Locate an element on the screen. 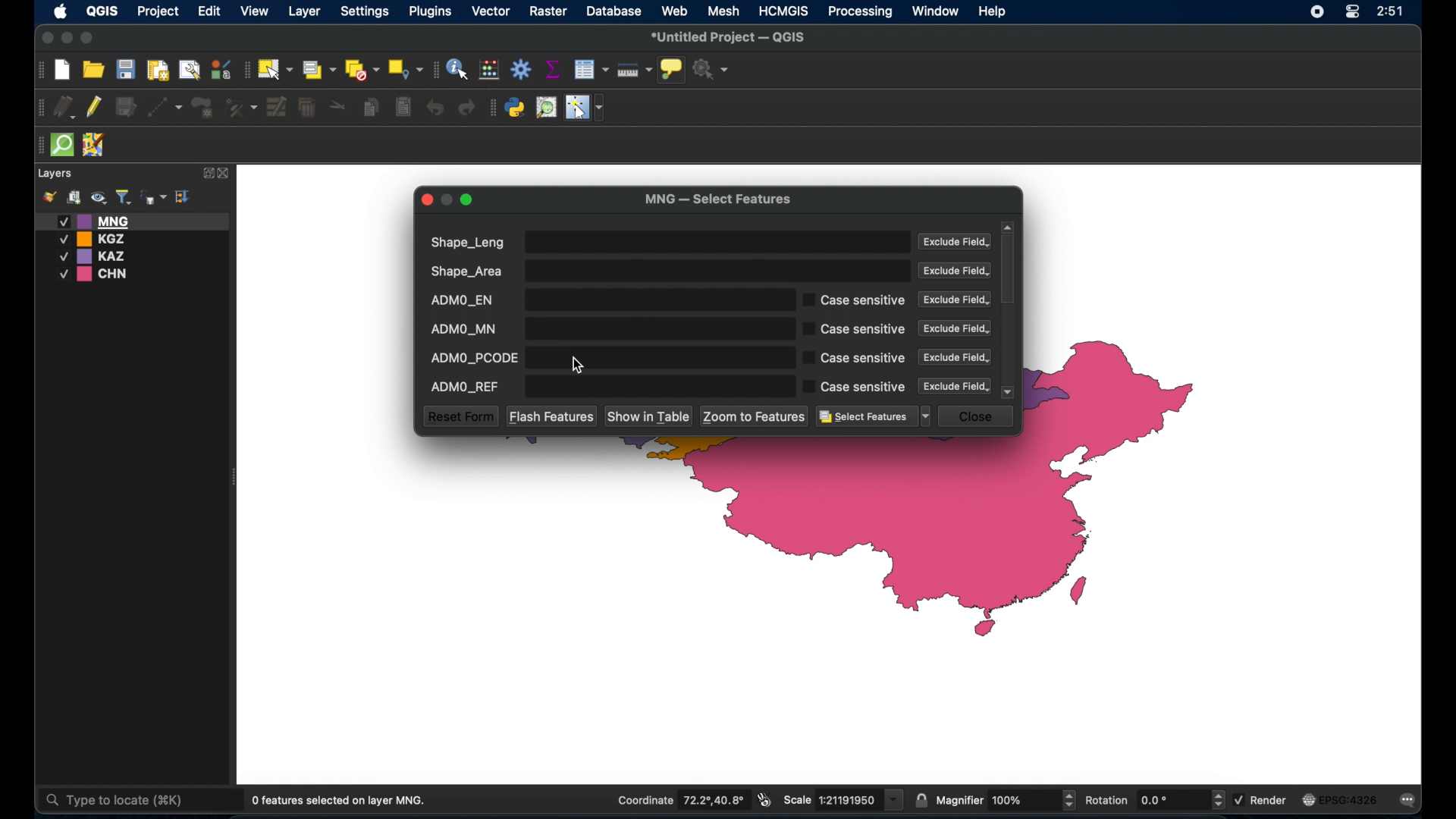  measure line is located at coordinates (635, 70).